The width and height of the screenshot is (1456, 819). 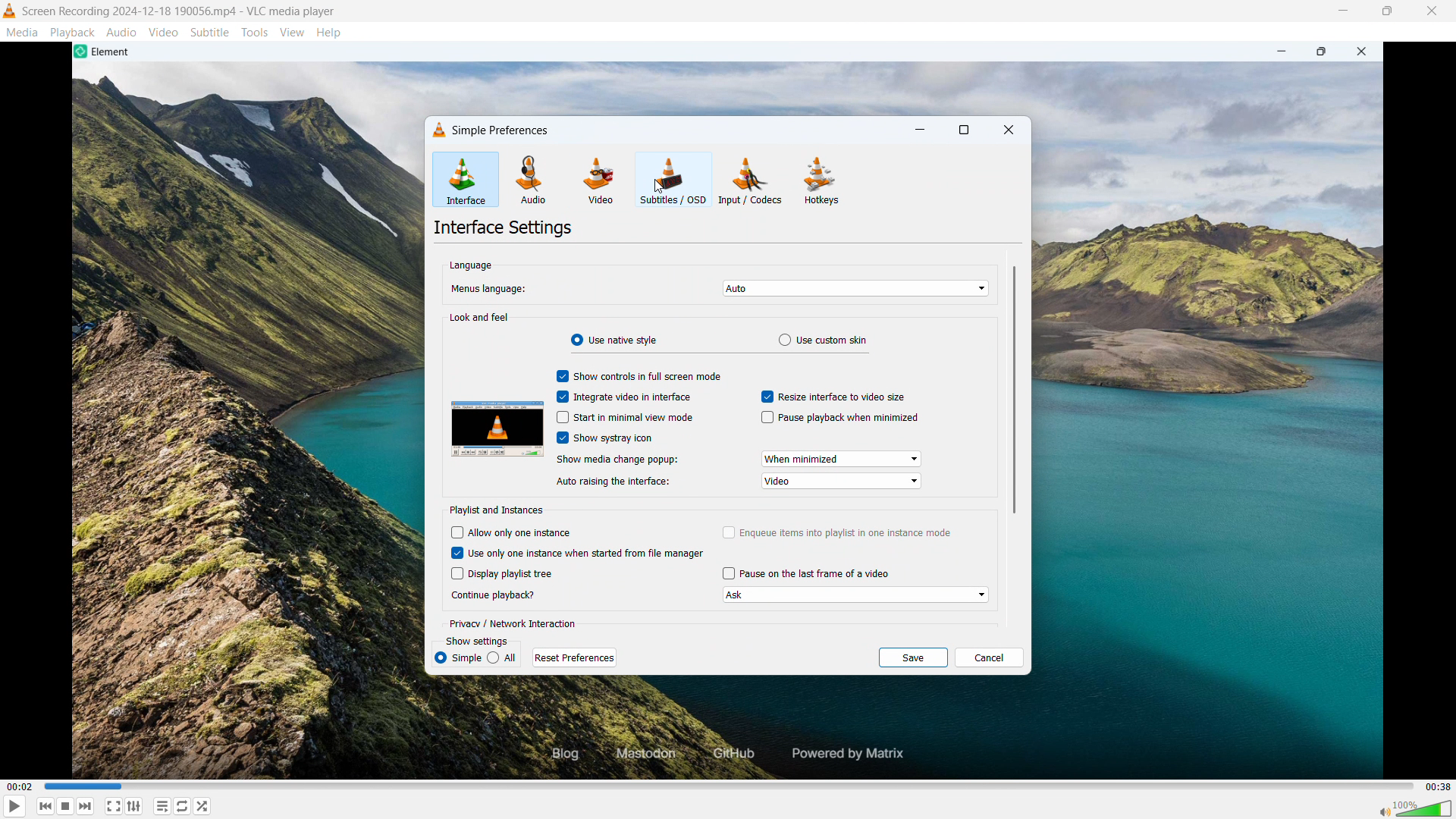 What do you see at coordinates (503, 227) in the screenshot?
I see `Interface settings ` at bounding box center [503, 227].